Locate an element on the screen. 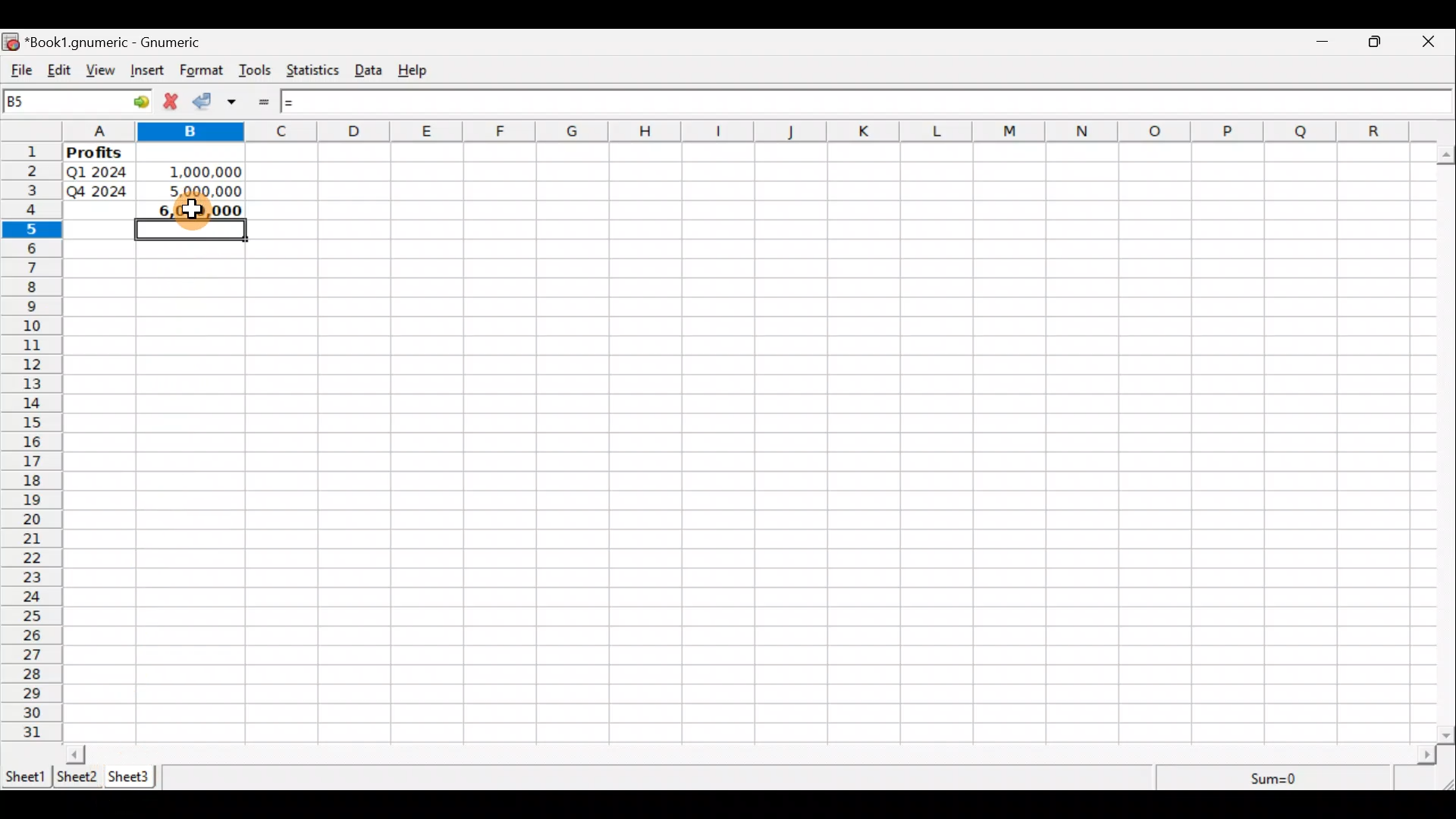  Sheet 2 is located at coordinates (78, 777).